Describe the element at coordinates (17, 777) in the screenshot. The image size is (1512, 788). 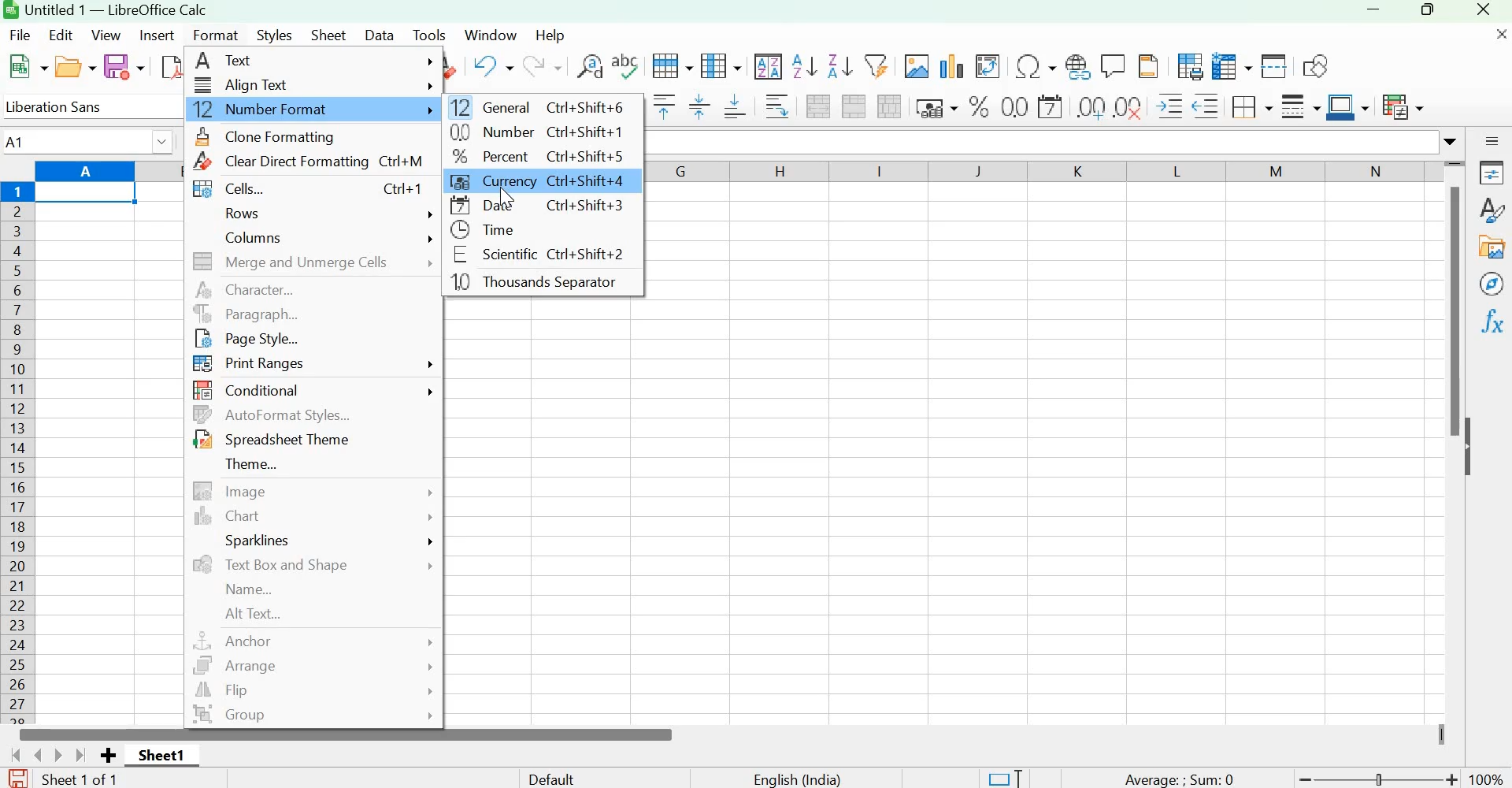
I see `The document has not been modified since the last save` at that location.